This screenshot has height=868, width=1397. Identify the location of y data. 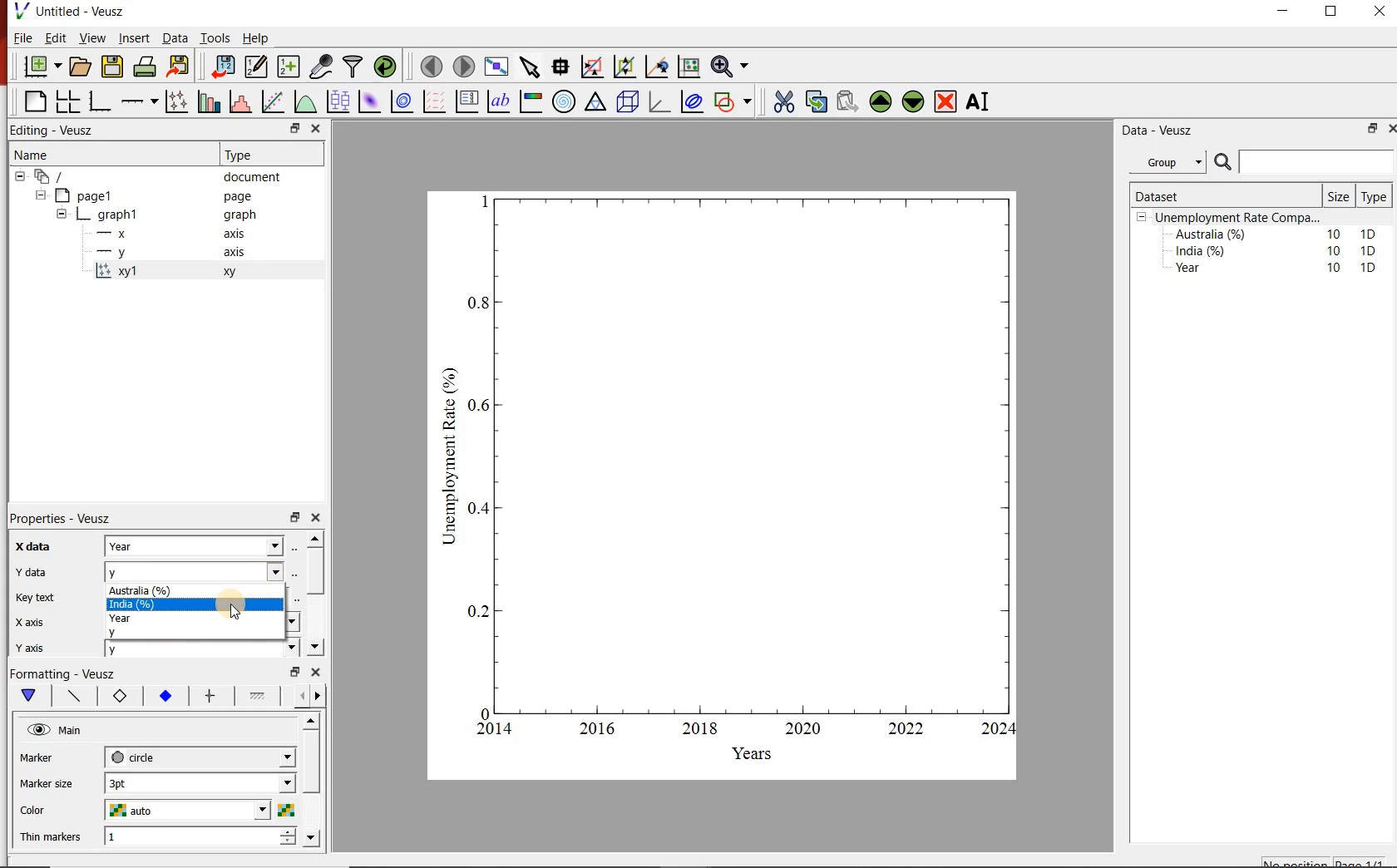
(36, 572).